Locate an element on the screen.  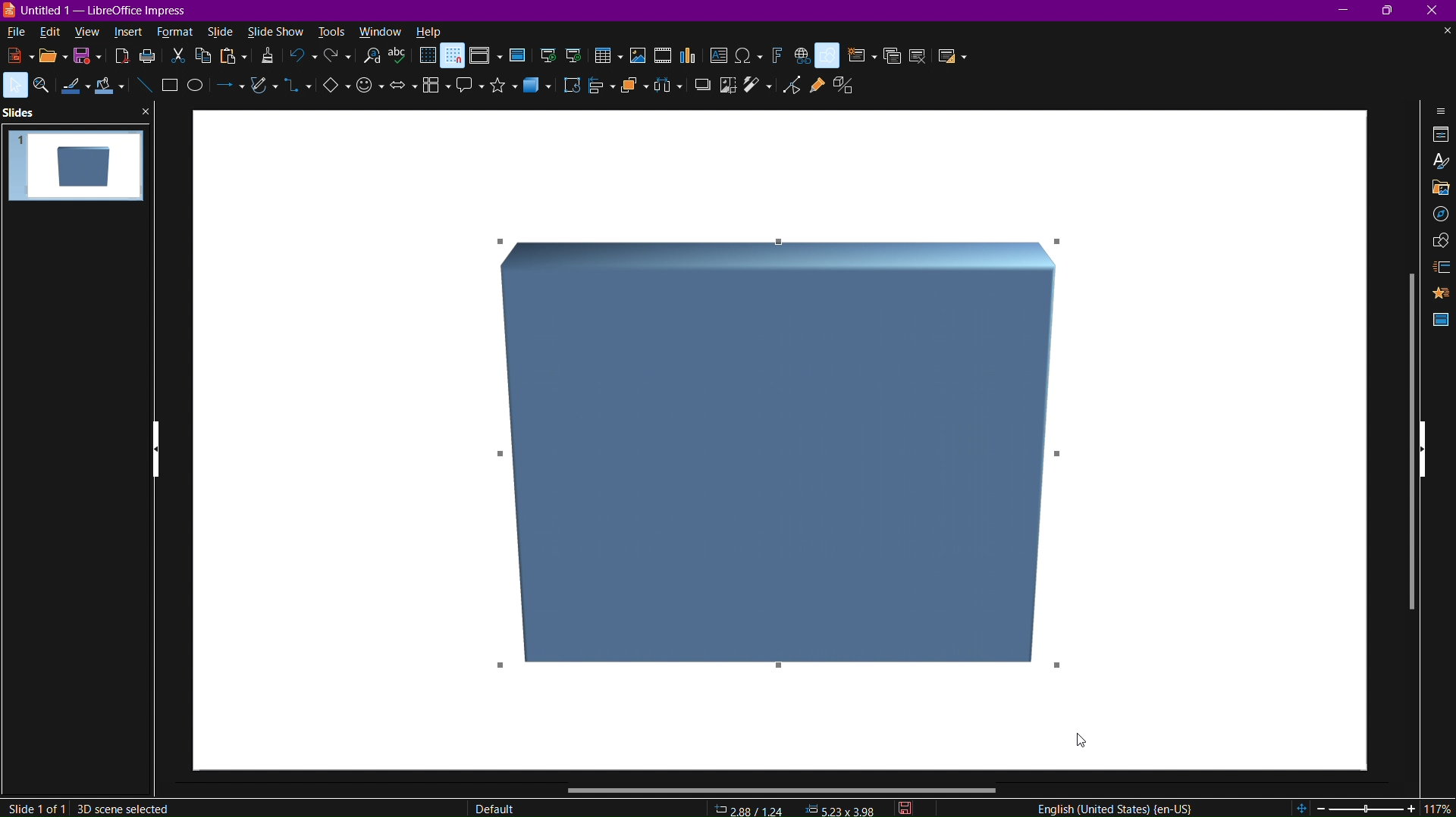
Line is located at coordinates (144, 86).